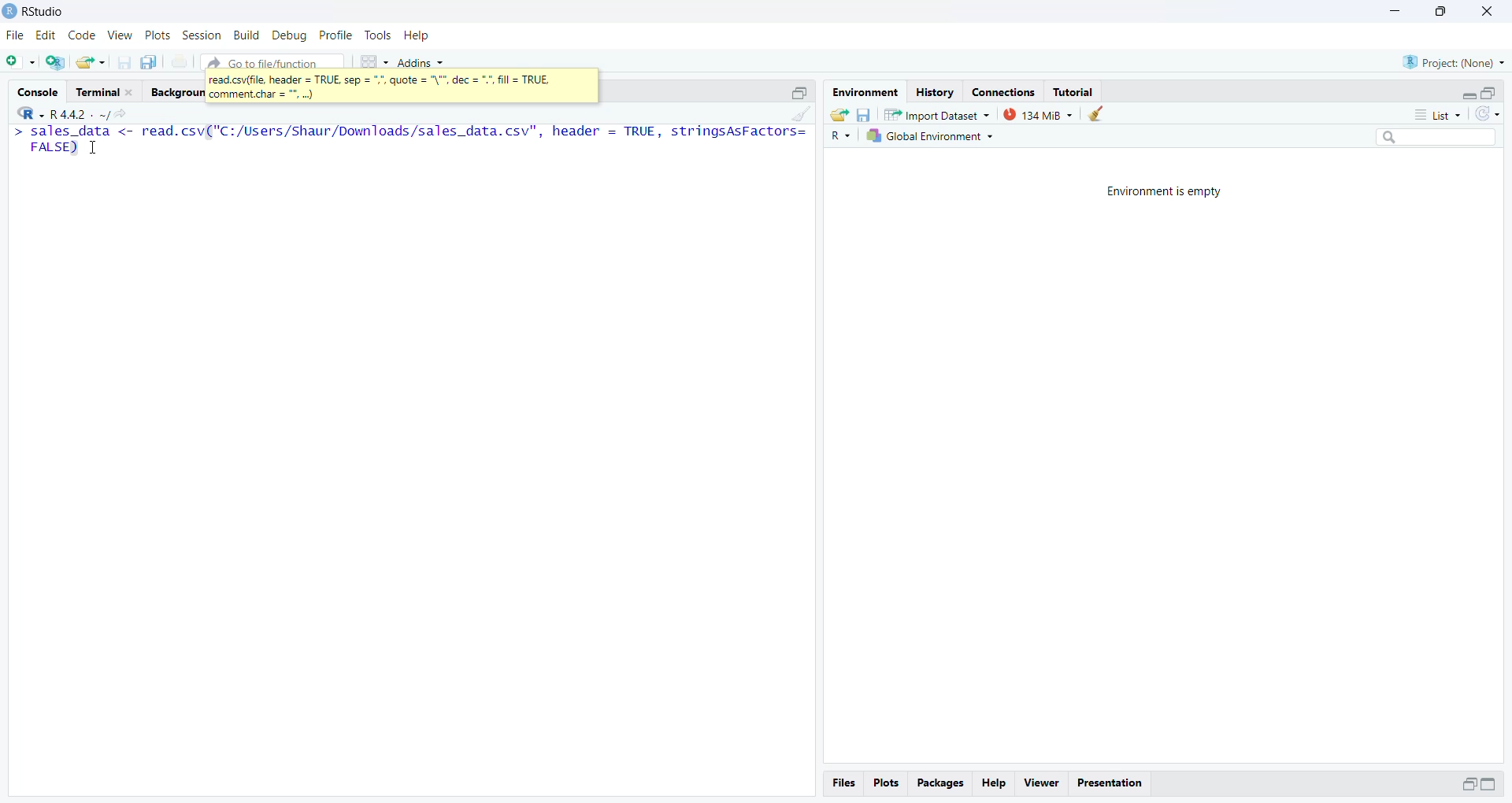 The image size is (1512, 803). Describe the element at coordinates (94, 148) in the screenshot. I see `Cursor` at that location.